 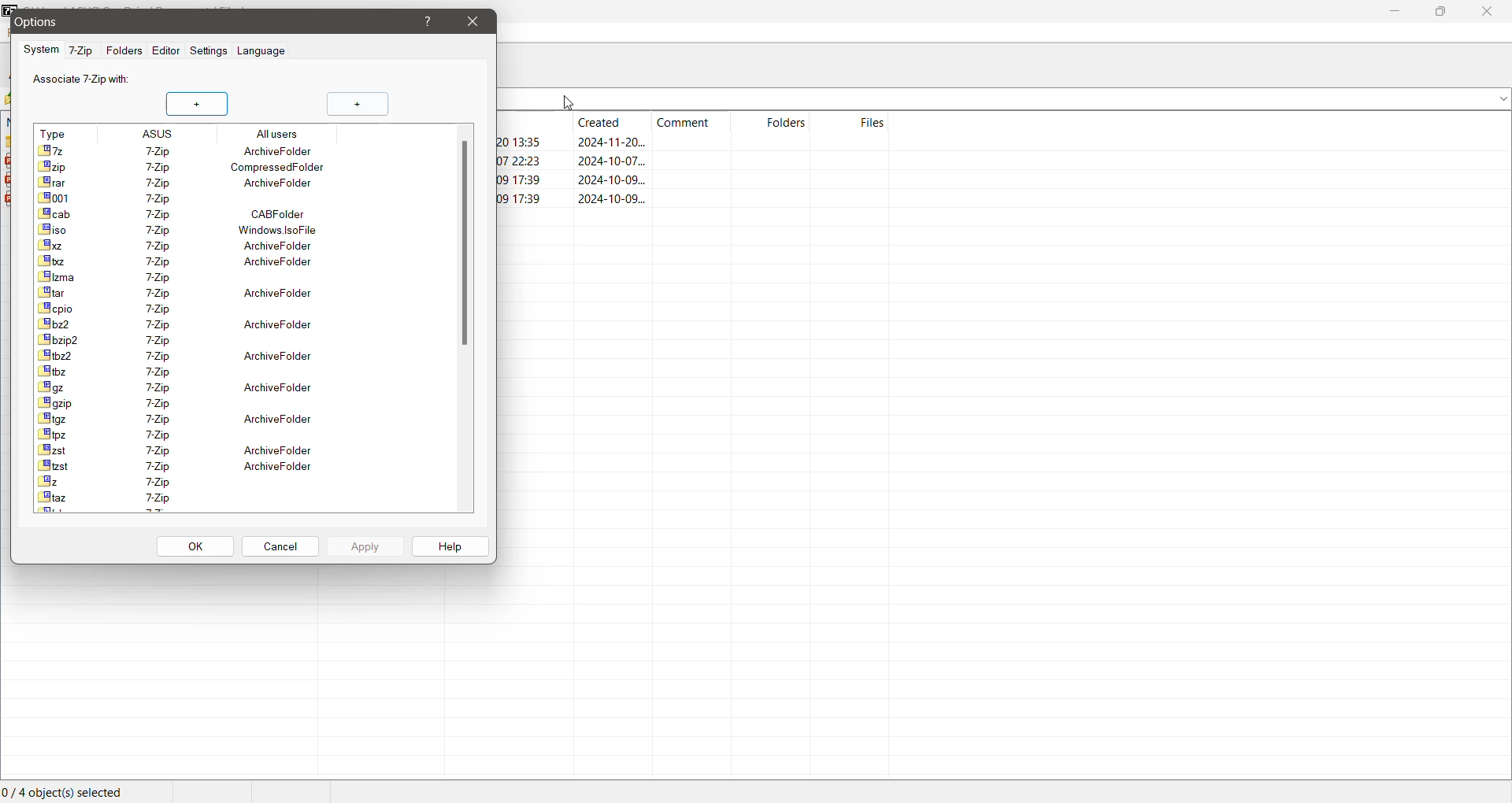 What do you see at coordinates (569, 101) in the screenshot?
I see `Cursor` at bounding box center [569, 101].